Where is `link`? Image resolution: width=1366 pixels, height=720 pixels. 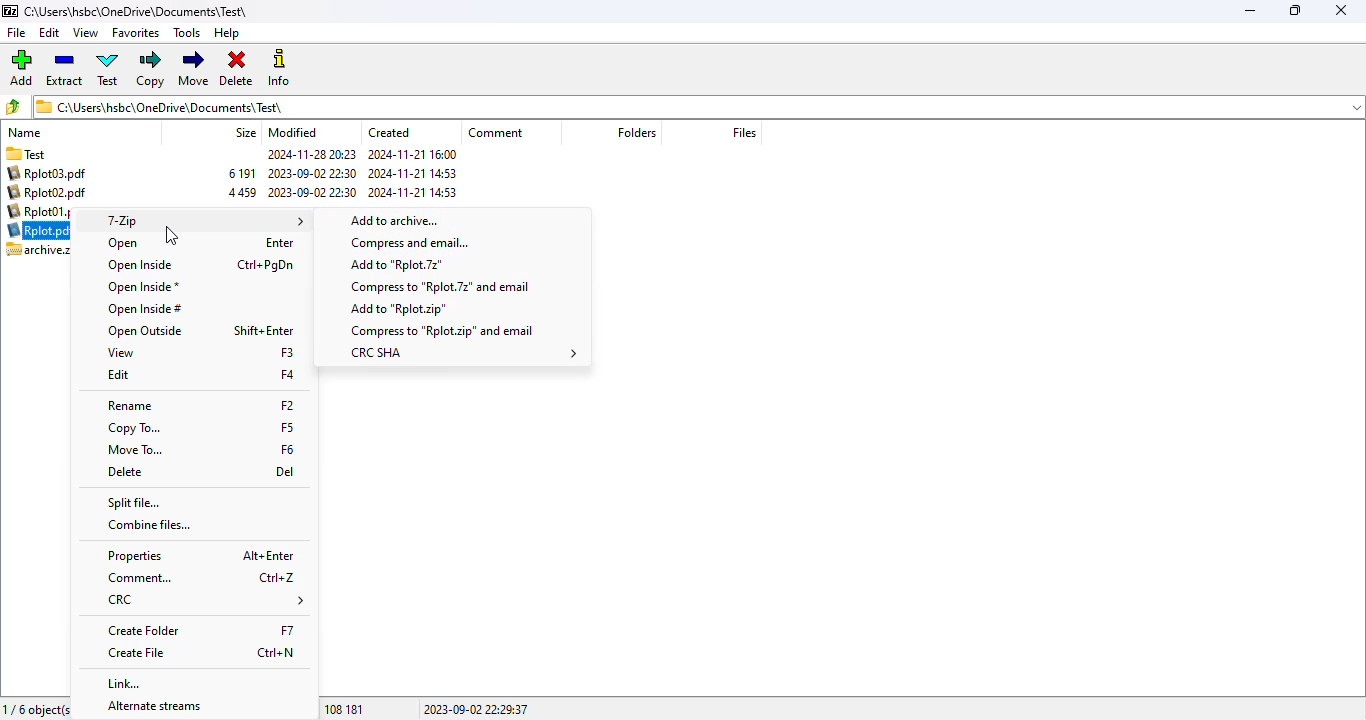
link is located at coordinates (126, 684).